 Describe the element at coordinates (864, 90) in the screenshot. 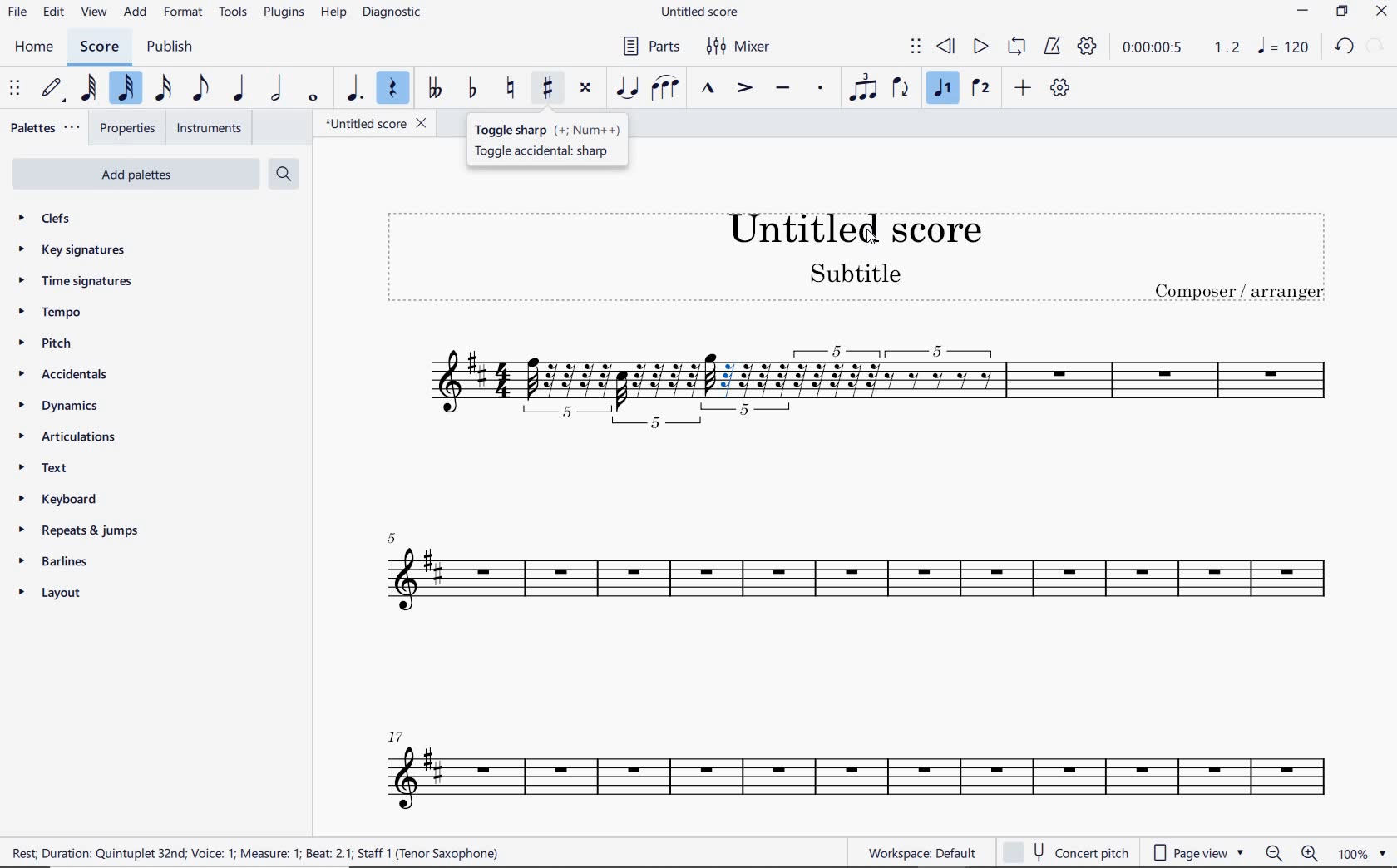

I see `Tuplet` at that location.